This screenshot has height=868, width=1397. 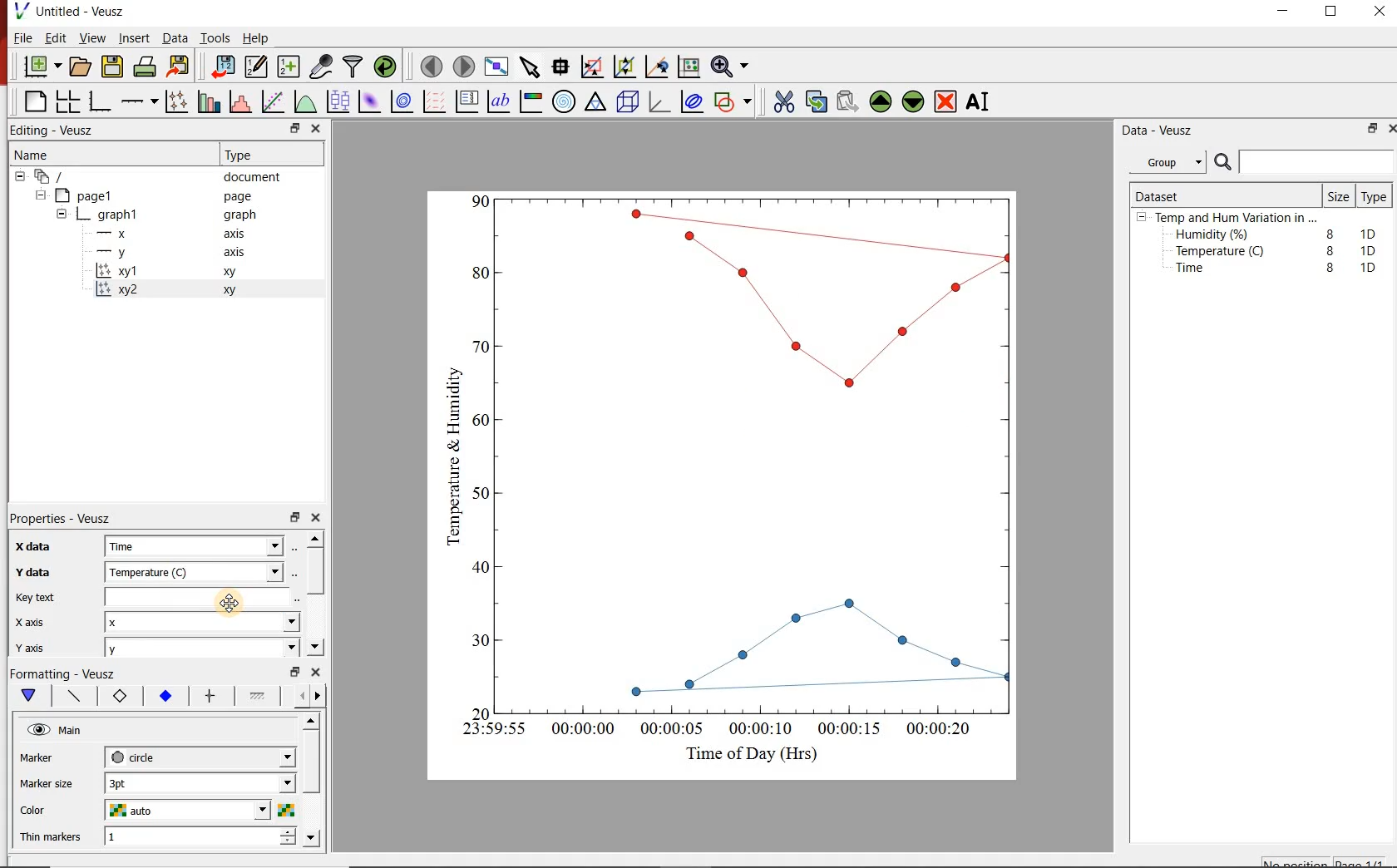 I want to click on create new datasets using ranges, parametrically or as functions of existing datasets, so click(x=289, y=67).